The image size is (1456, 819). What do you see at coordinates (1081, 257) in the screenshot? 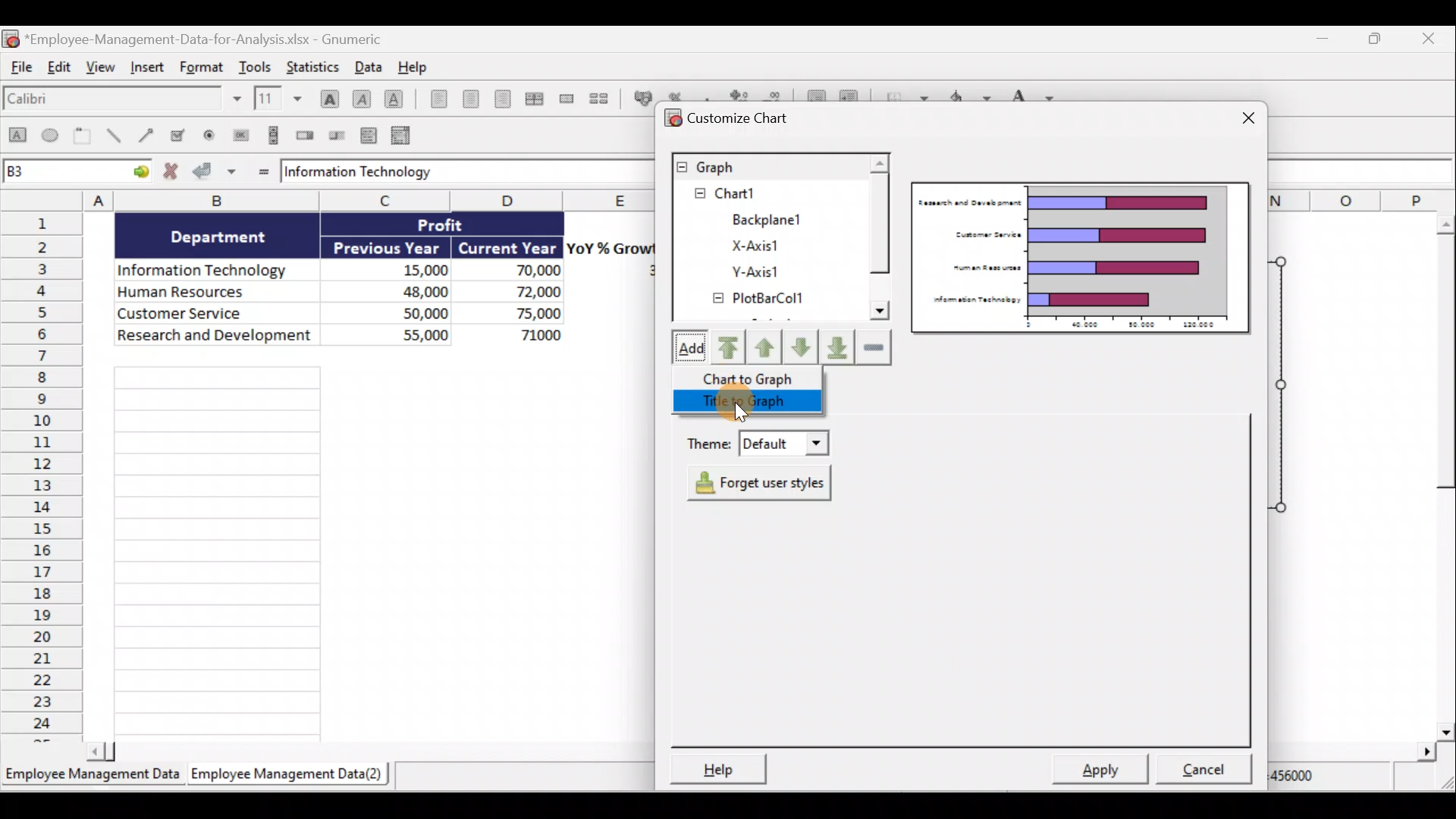
I see `Chart preview` at bounding box center [1081, 257].